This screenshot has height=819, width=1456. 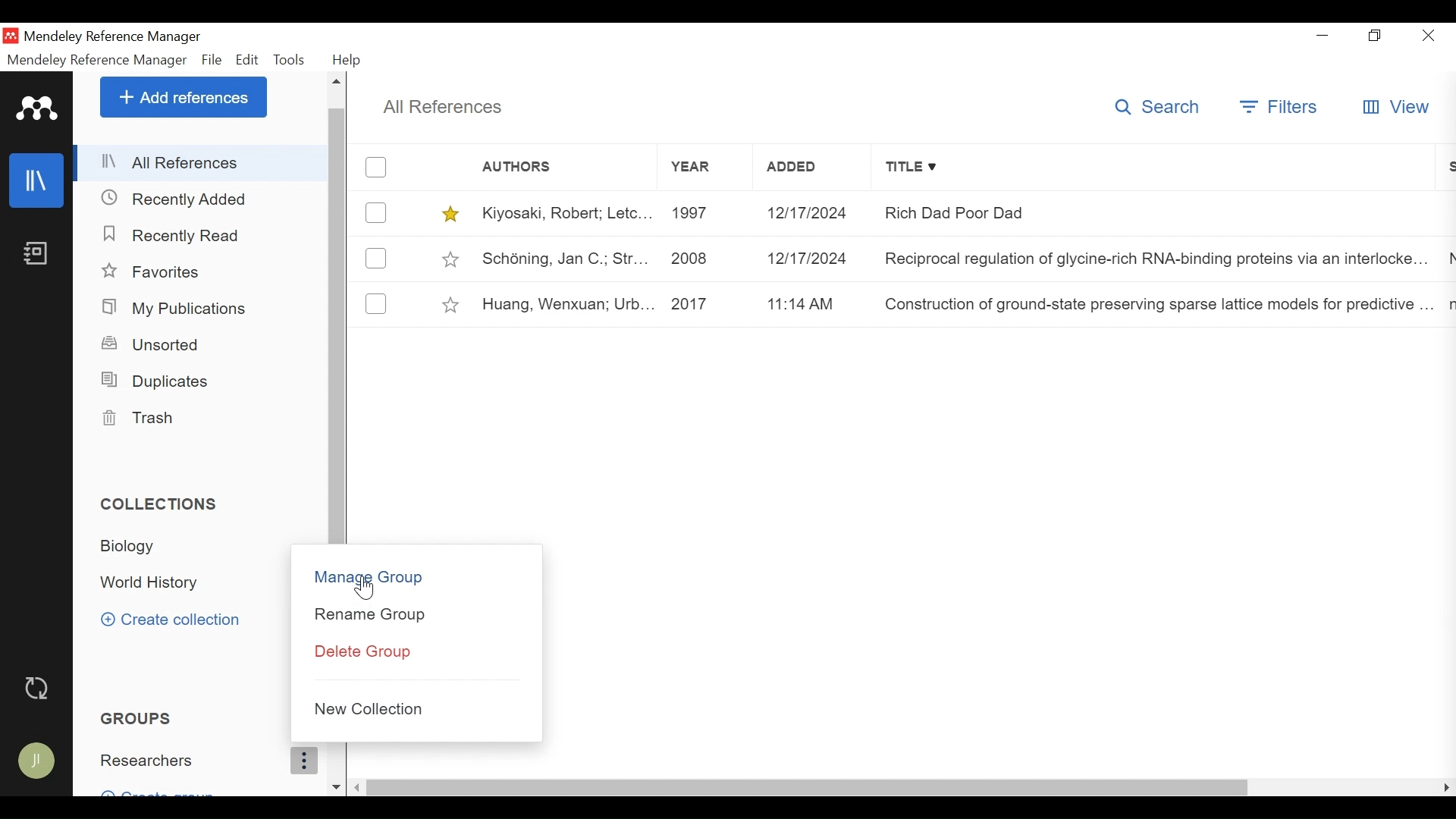 What do you see at coordinates (176, 235) in the screenshot?
I see `Recently Added` at bounding box center [176, 235].